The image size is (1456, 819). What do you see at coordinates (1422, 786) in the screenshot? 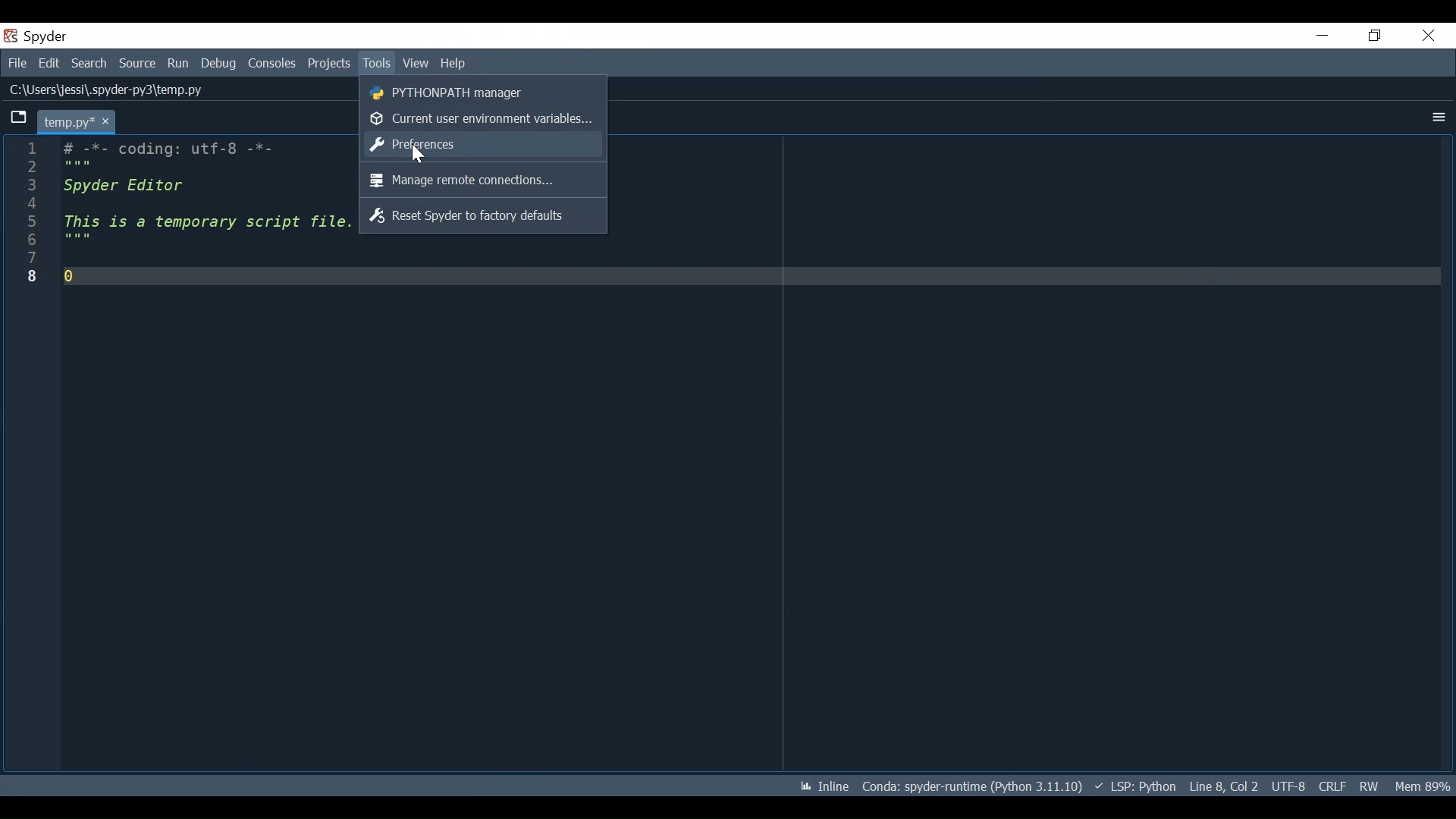
I see `Memory Usage` at bounding box center [1422, 786].